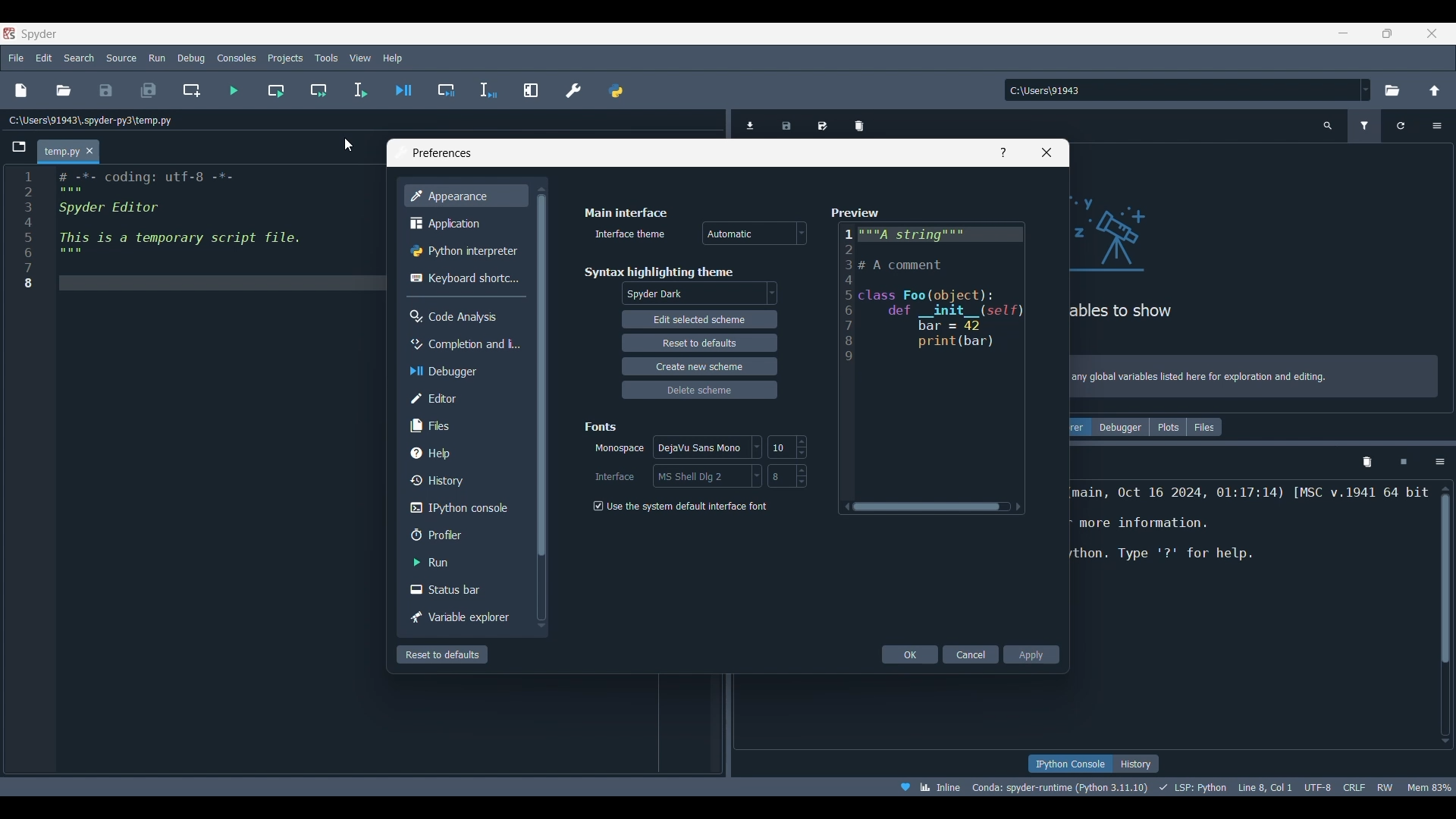 This screenshot has width=1456, height=819. I want to click on Remove all variable, so click(859, 127).